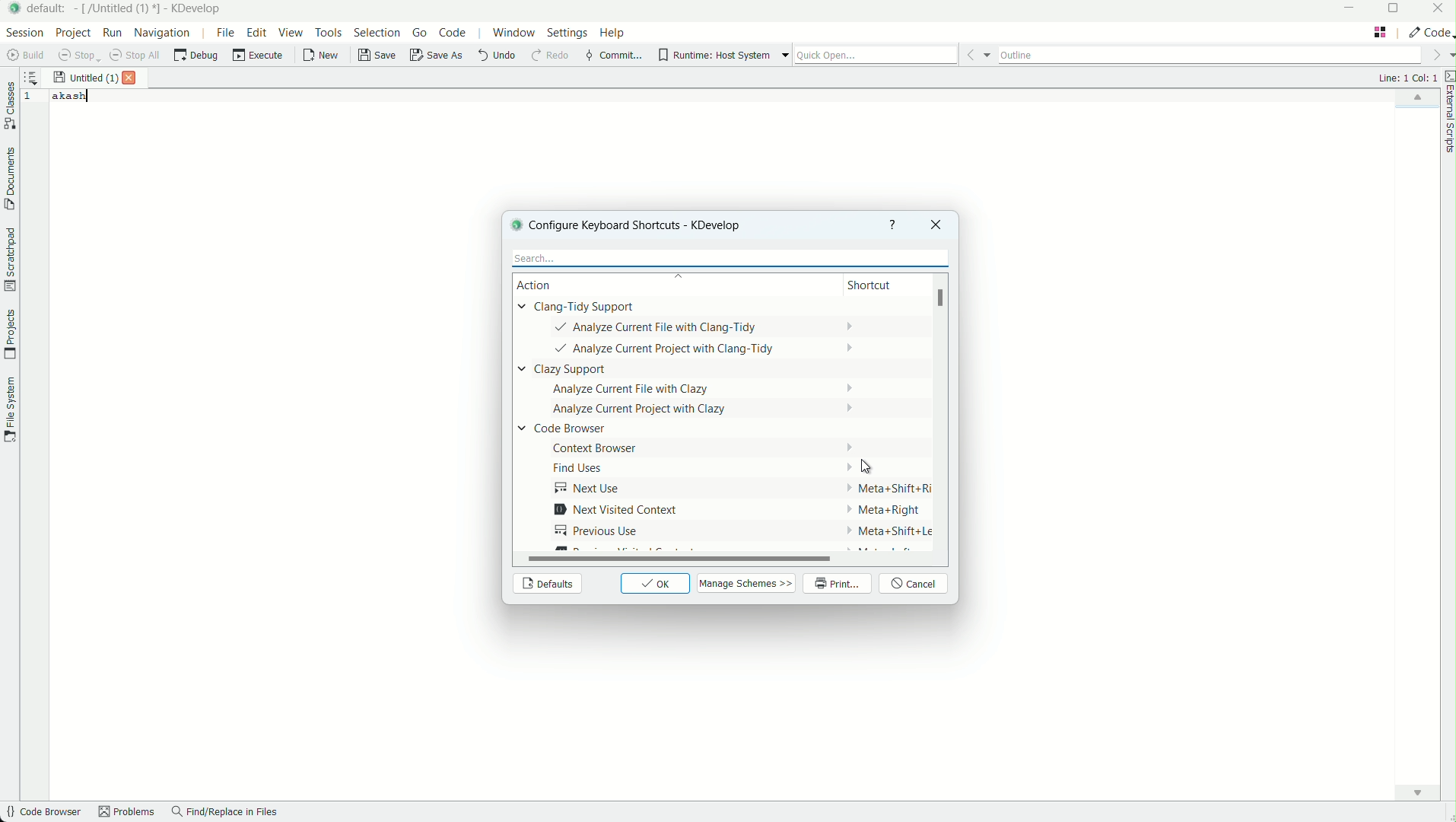  I want to click on help, so click(893, 225).